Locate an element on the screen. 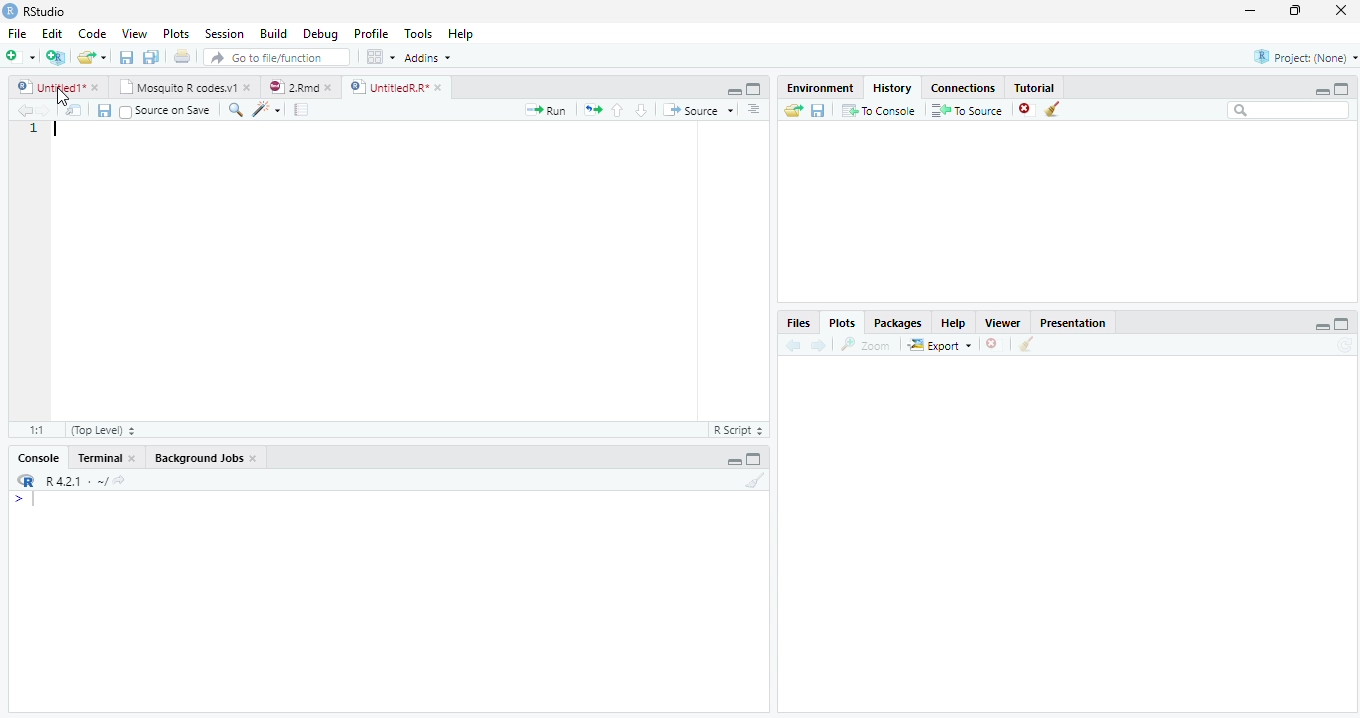  Viewer is located at coordinates (1008, 324).